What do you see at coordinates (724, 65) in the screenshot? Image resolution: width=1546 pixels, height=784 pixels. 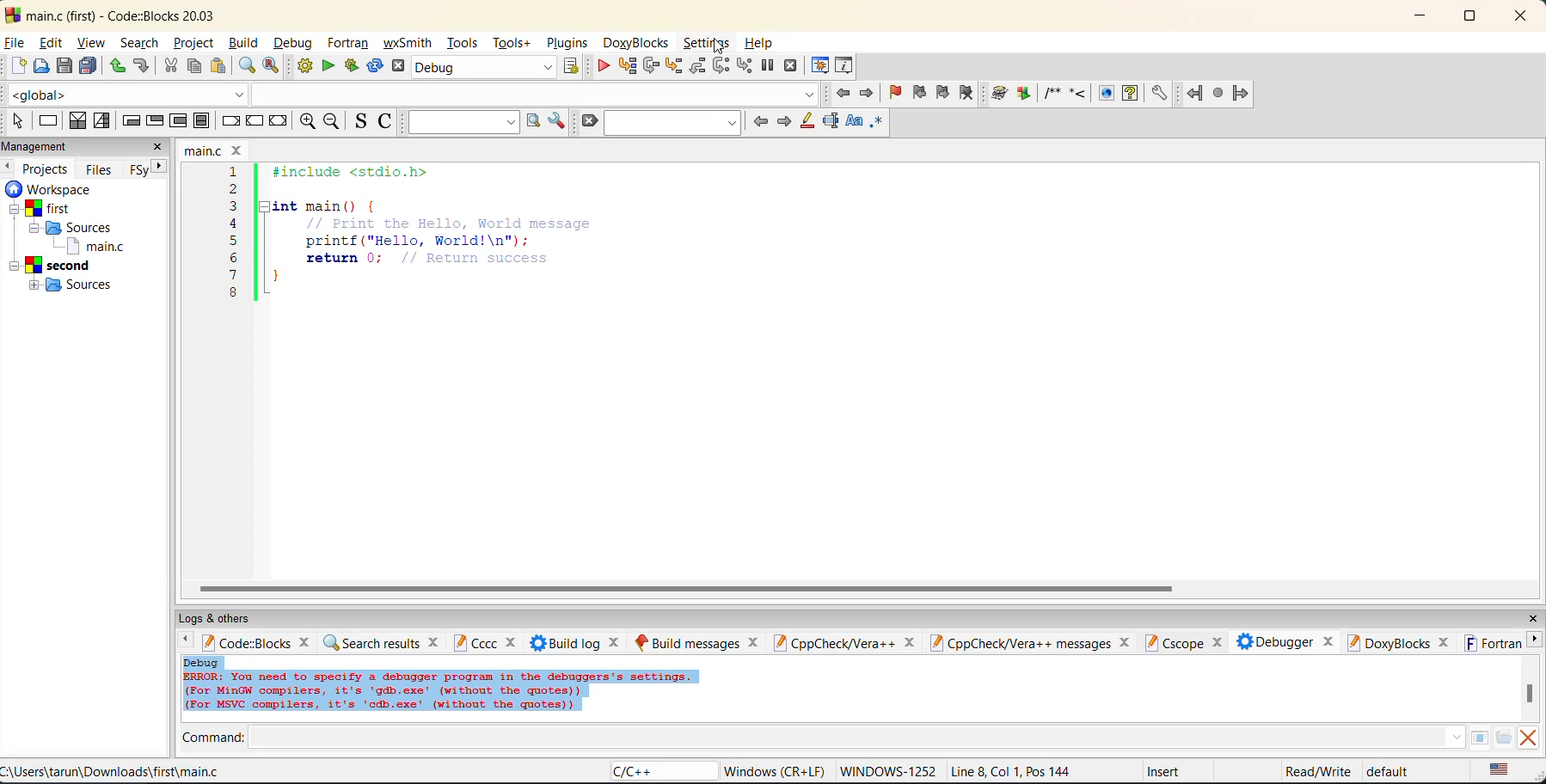 I see `next instruction` at bounding box center [724, 65].